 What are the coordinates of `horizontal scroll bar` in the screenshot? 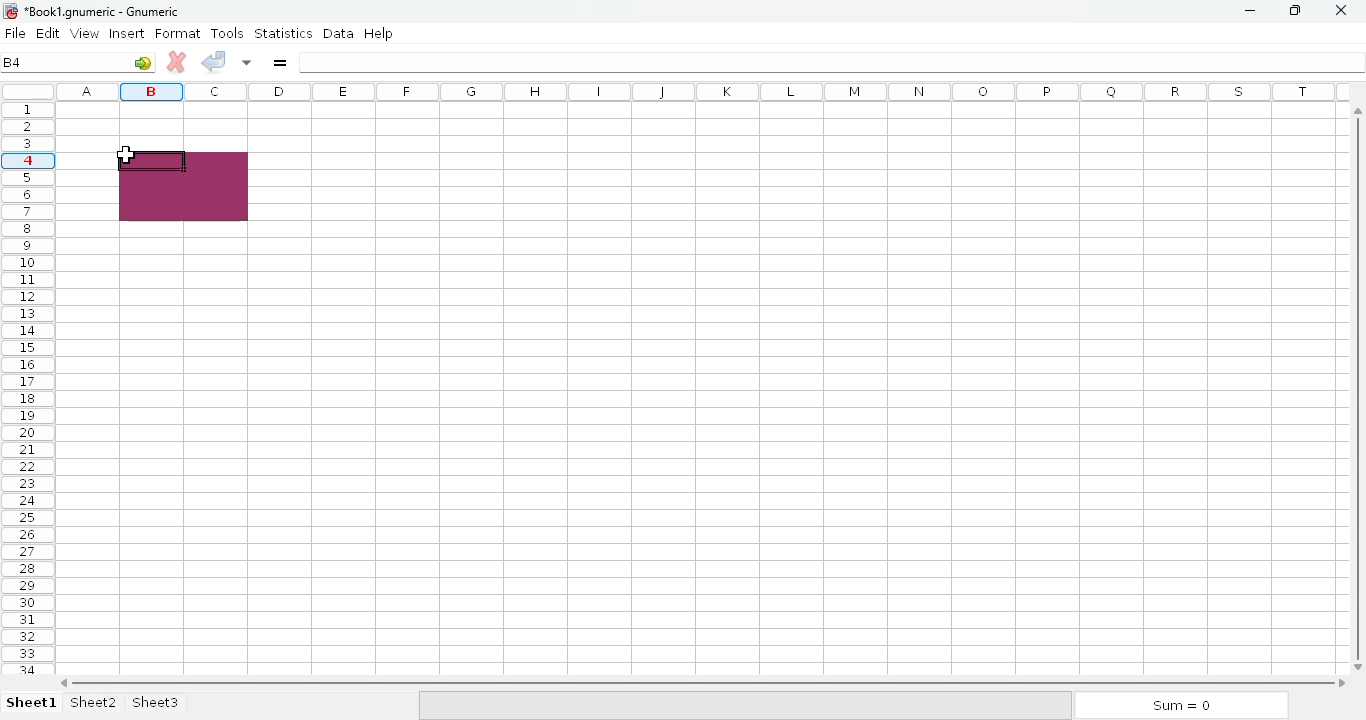 It's located at (705, 682).